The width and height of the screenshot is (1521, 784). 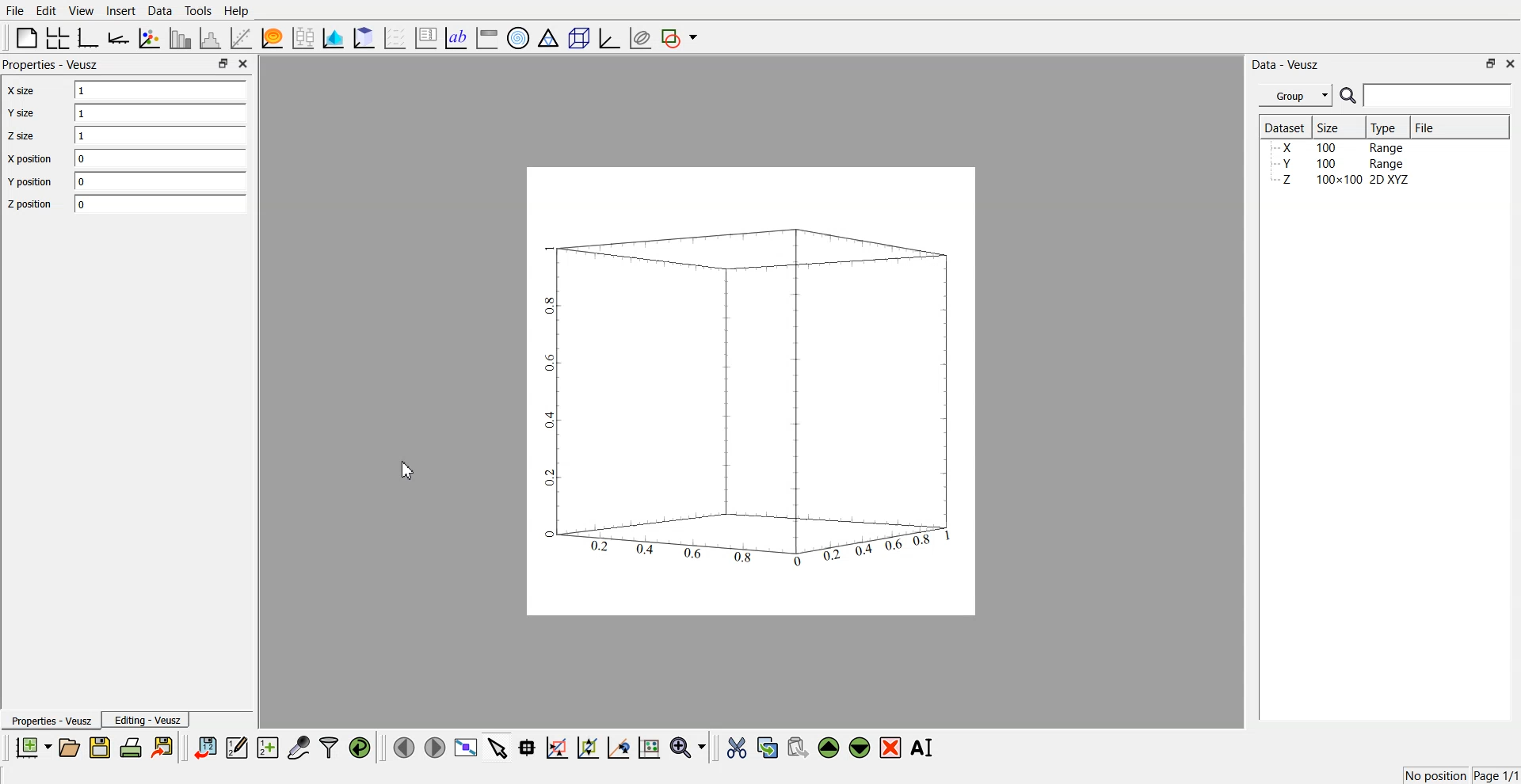 What do you see at coordinates (272, 38) in the screenshot?
I see `3D Function` at bounding box center [272, 38].